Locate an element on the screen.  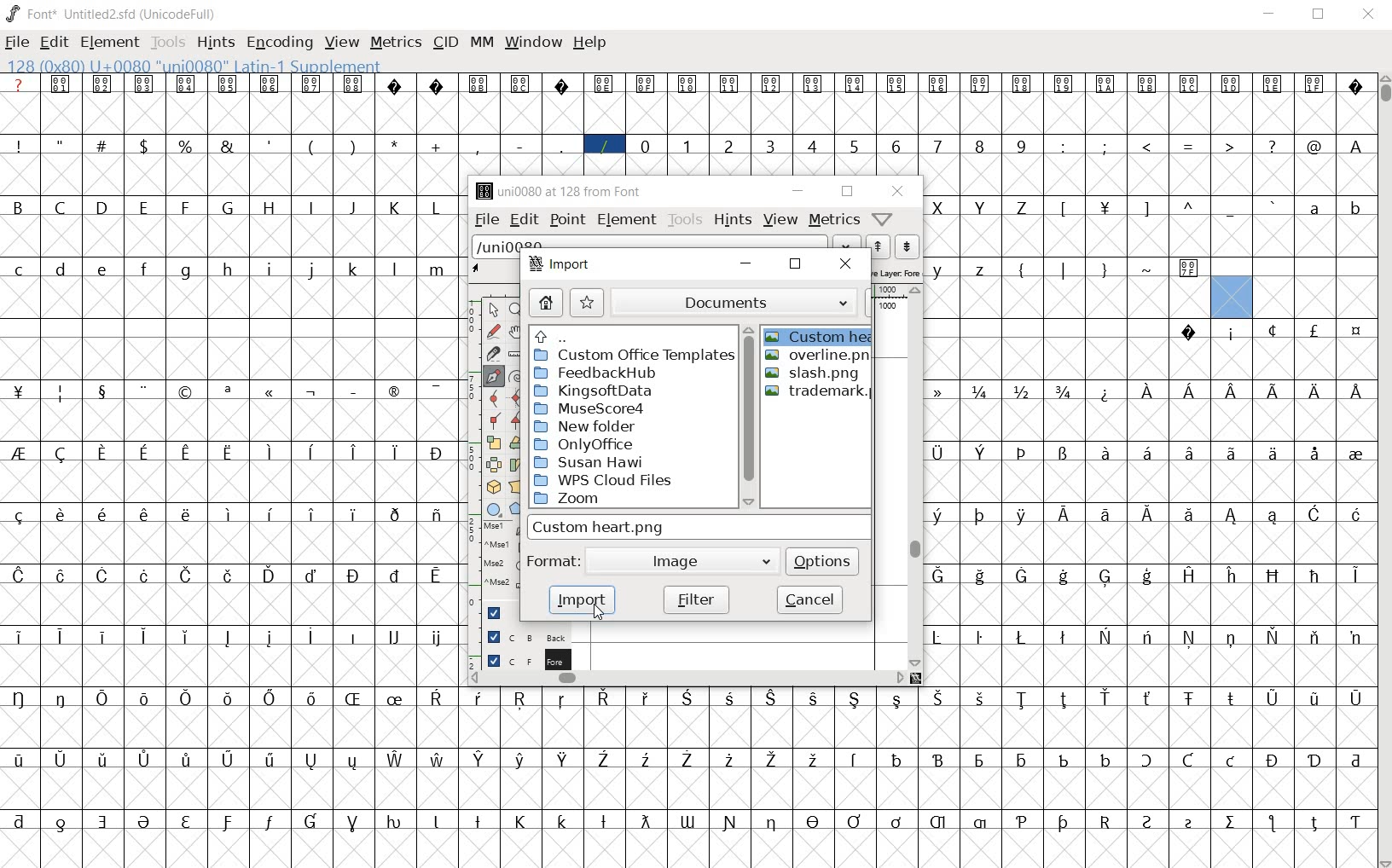
glyph is located at coordinates (562, 146).